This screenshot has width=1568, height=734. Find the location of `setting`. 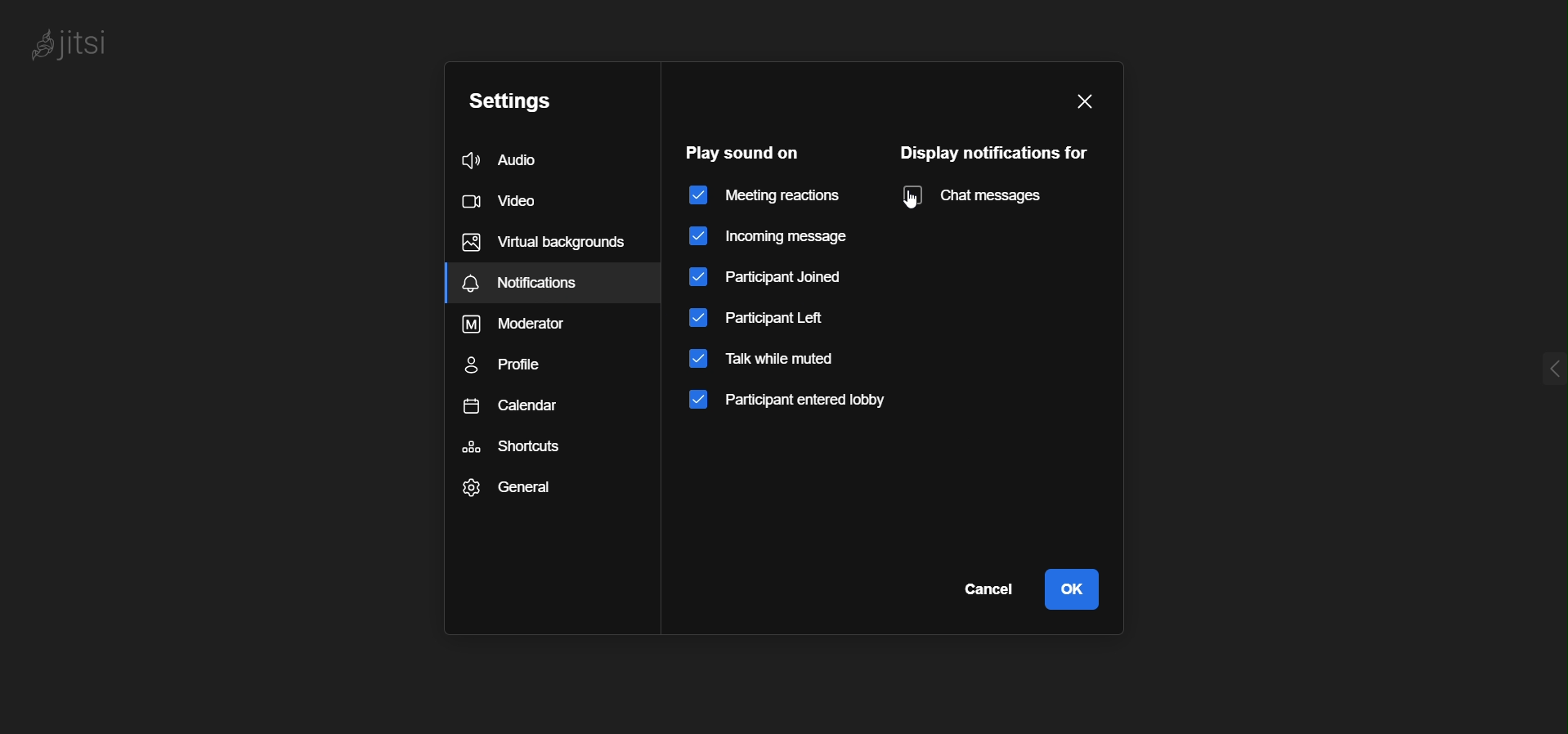

setting is located at coordinates (514, 102).